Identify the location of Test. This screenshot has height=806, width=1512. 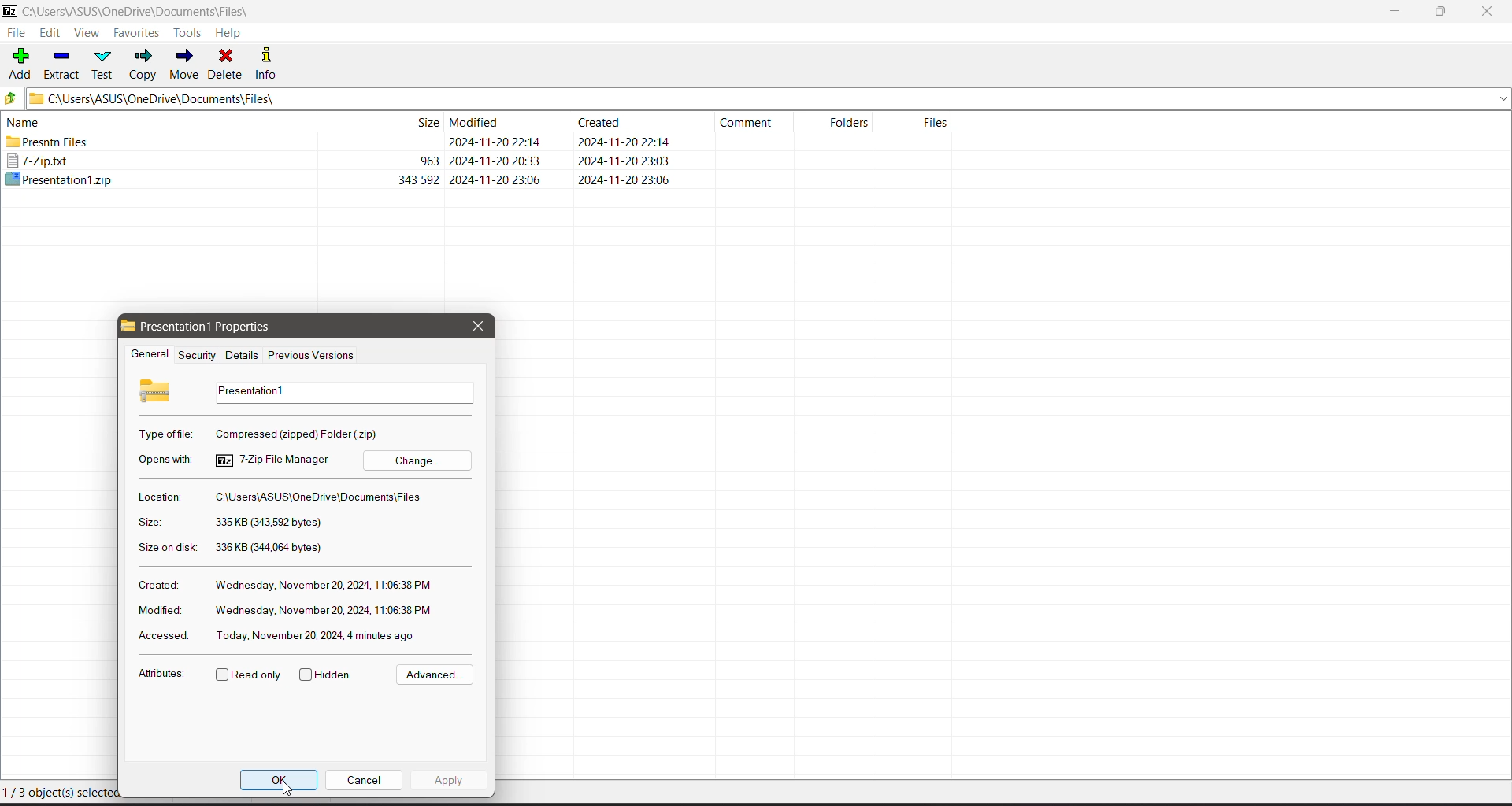
(105, 64).